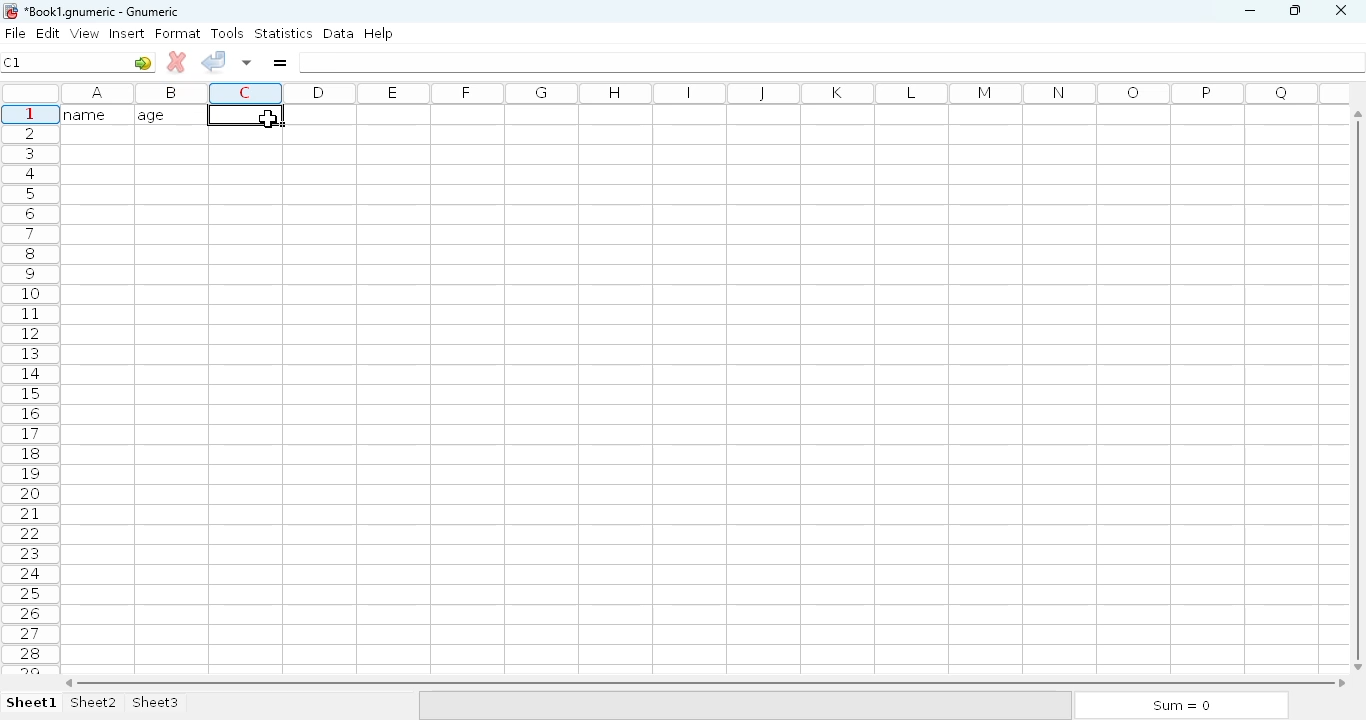 This screenshot has width=1366, height=720. Describe the element at coordinates (1340, 11) in the screenshot. I see `close` at that location.